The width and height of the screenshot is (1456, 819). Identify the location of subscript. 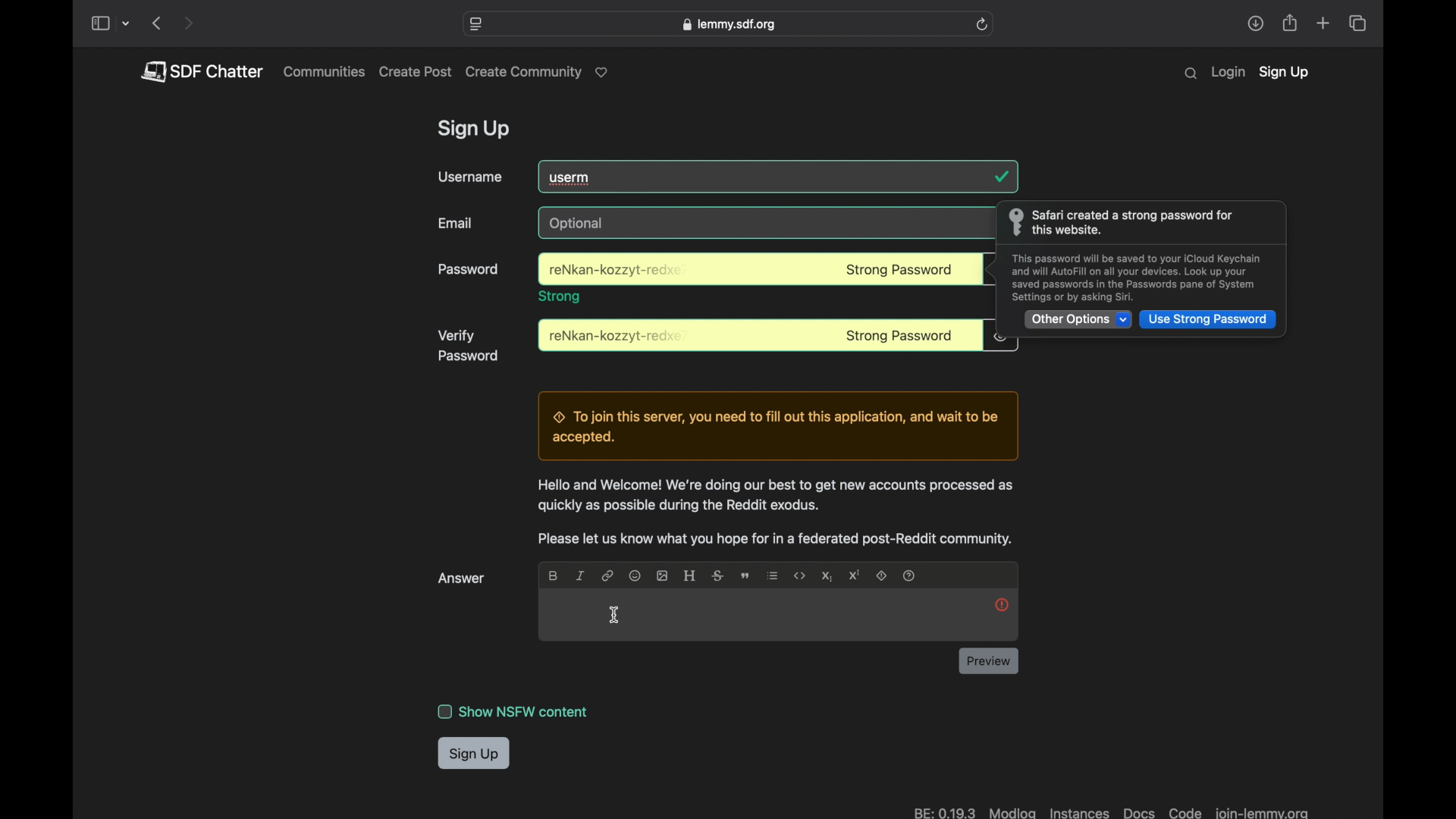
(825, 576).